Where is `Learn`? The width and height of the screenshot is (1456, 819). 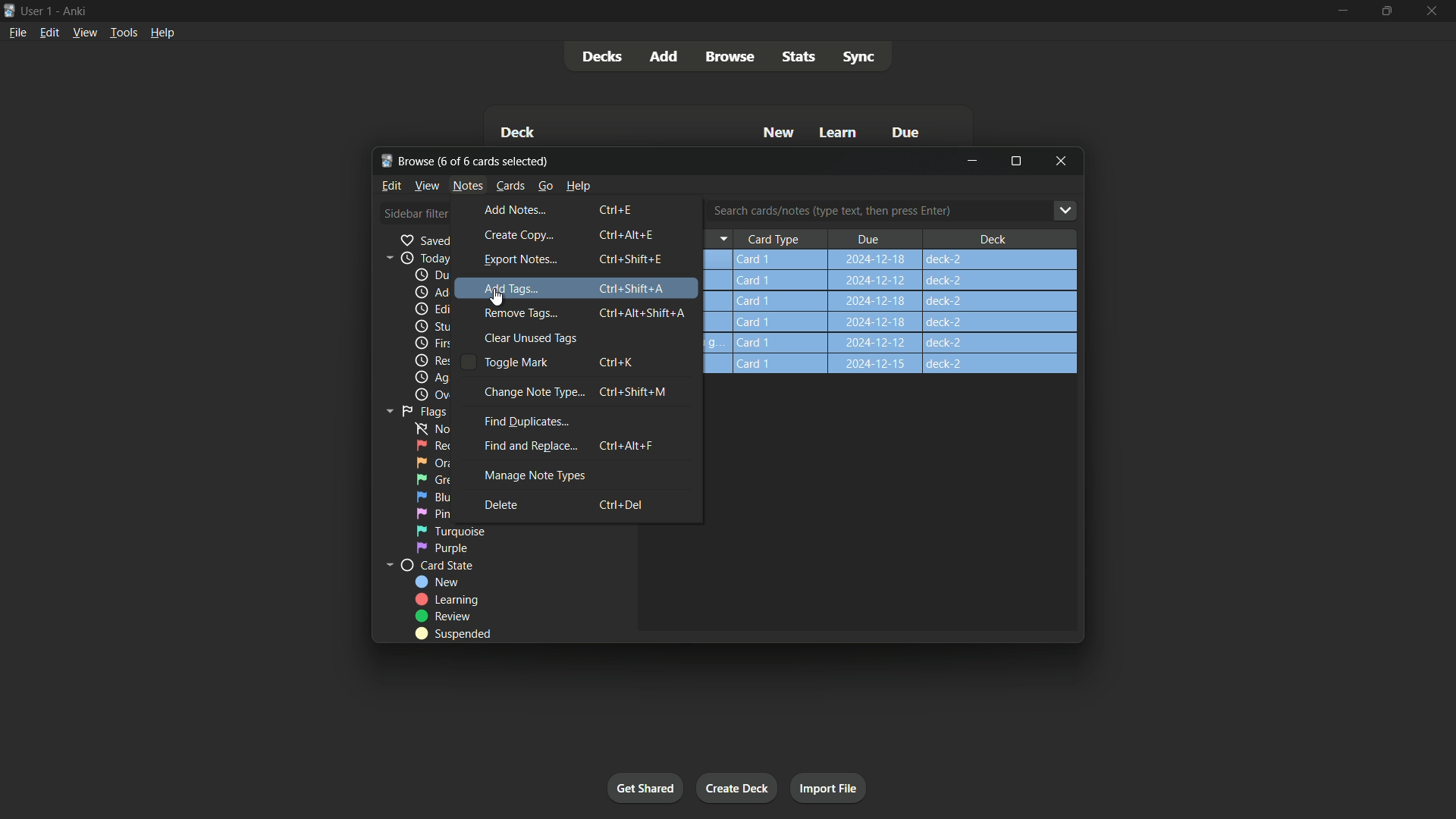 Learn is located at coordinates (839, 134).